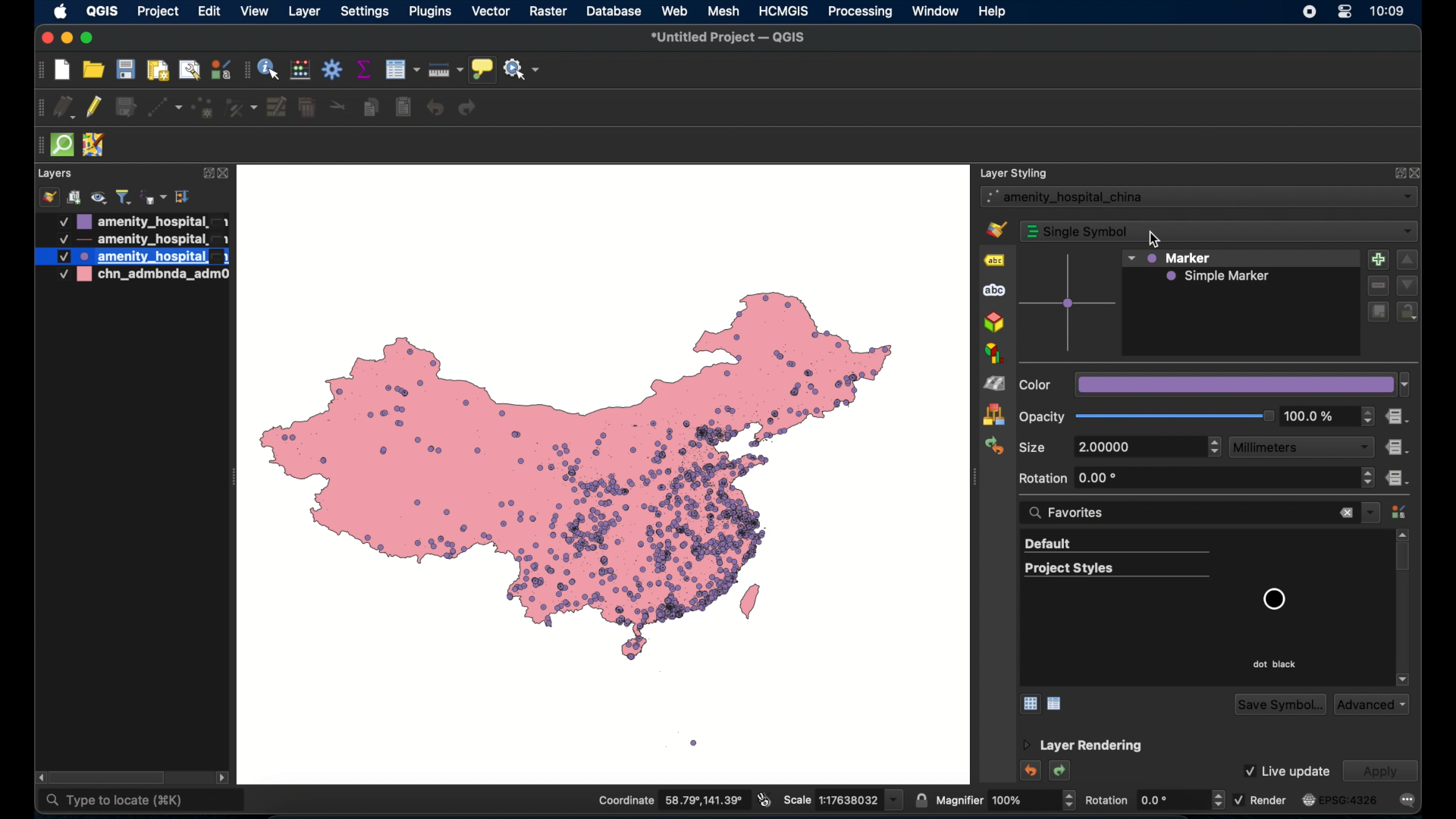 The image size is (1456, 819). I want to click on show map tips, so click(482, 68).